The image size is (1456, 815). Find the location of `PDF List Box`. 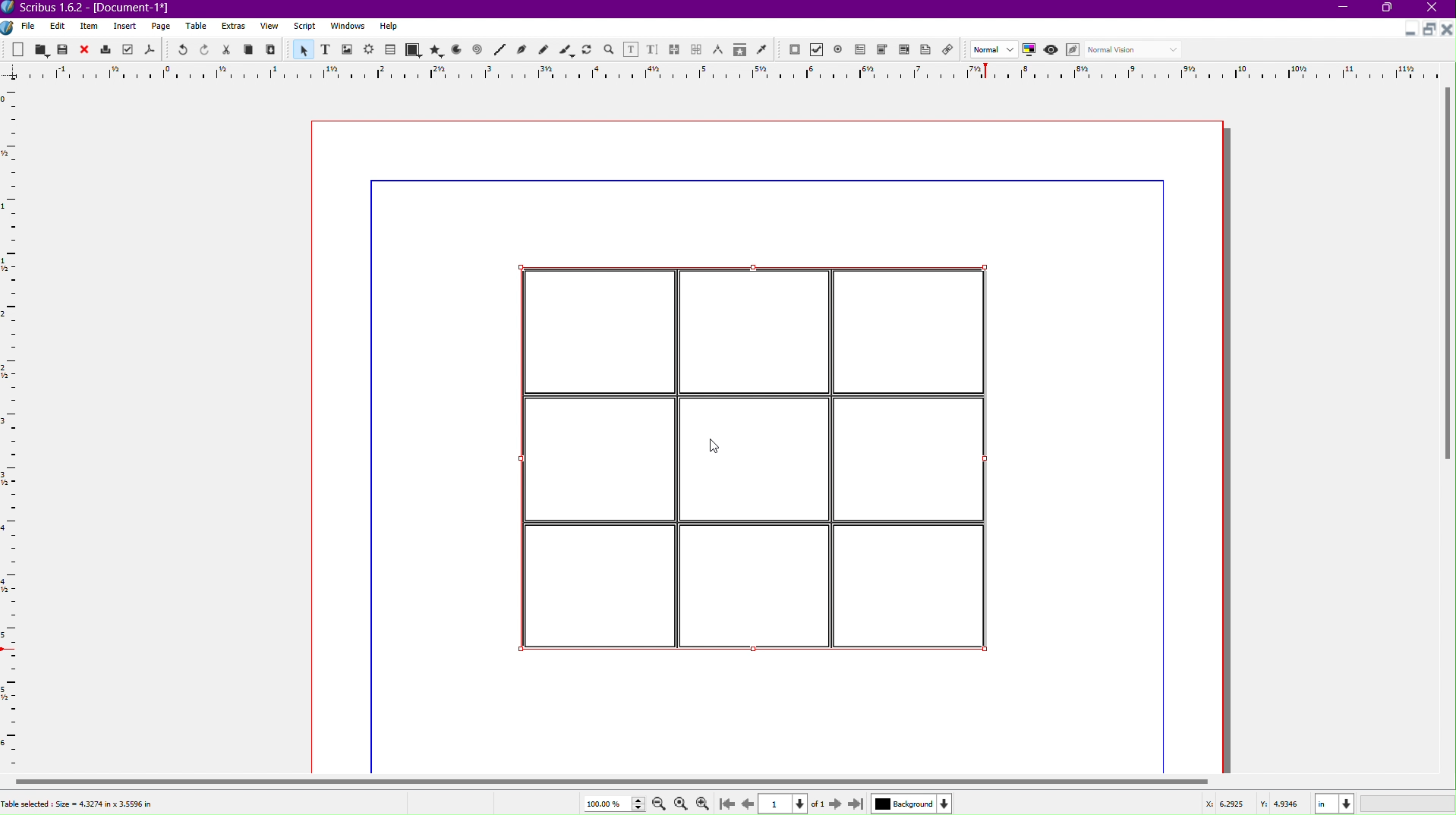

PDF List Box is located at coordinates (903, 52).